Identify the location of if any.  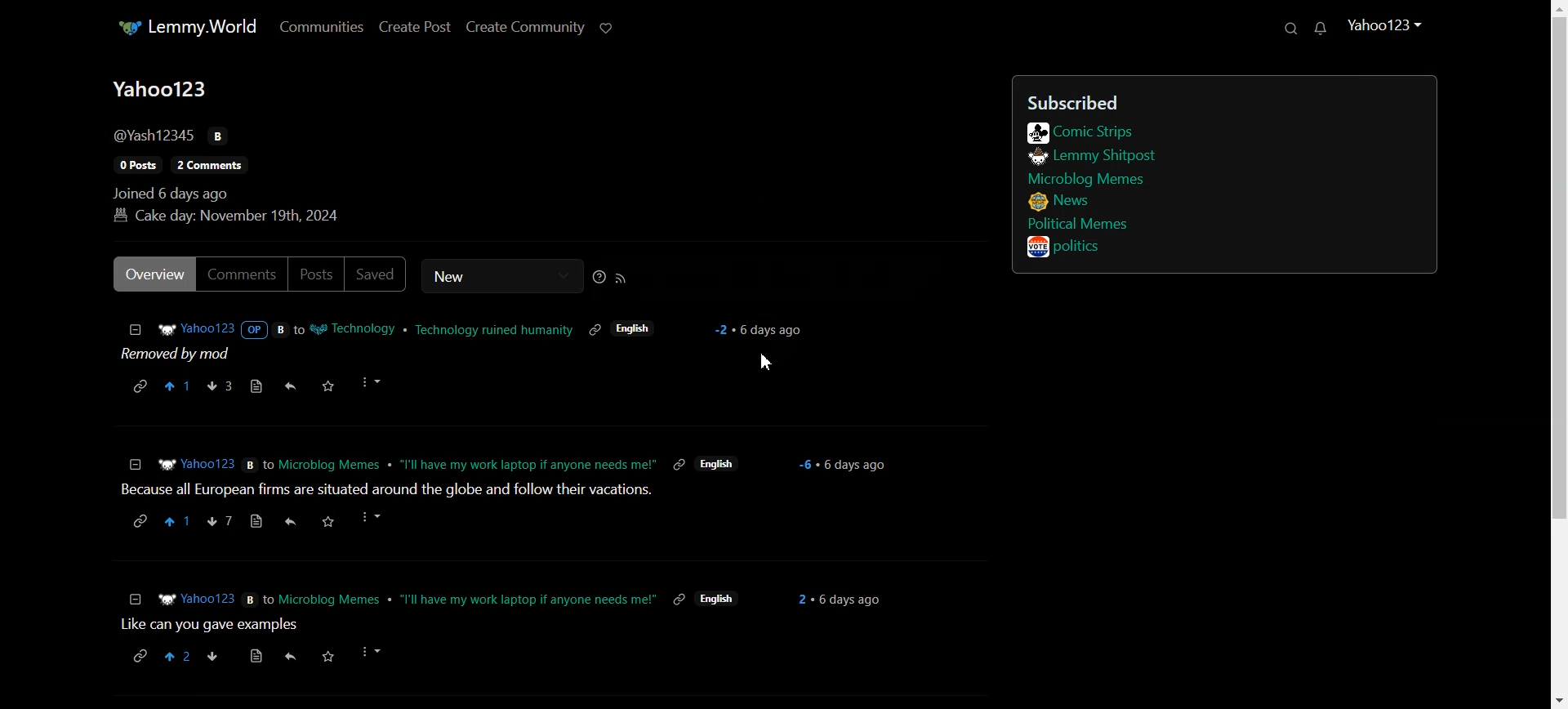
(678, 464).